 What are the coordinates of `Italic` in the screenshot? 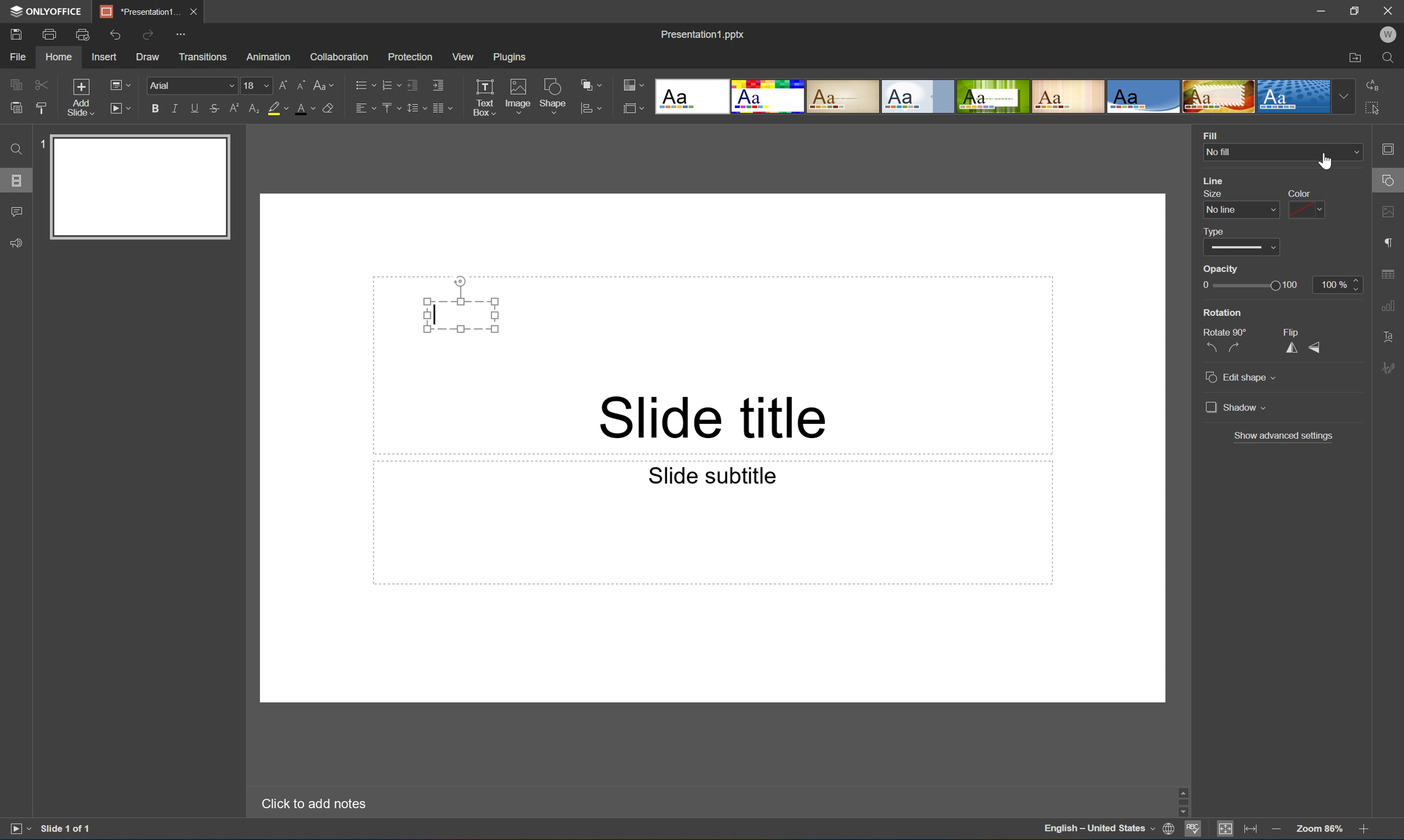 It's located at (174, 109).